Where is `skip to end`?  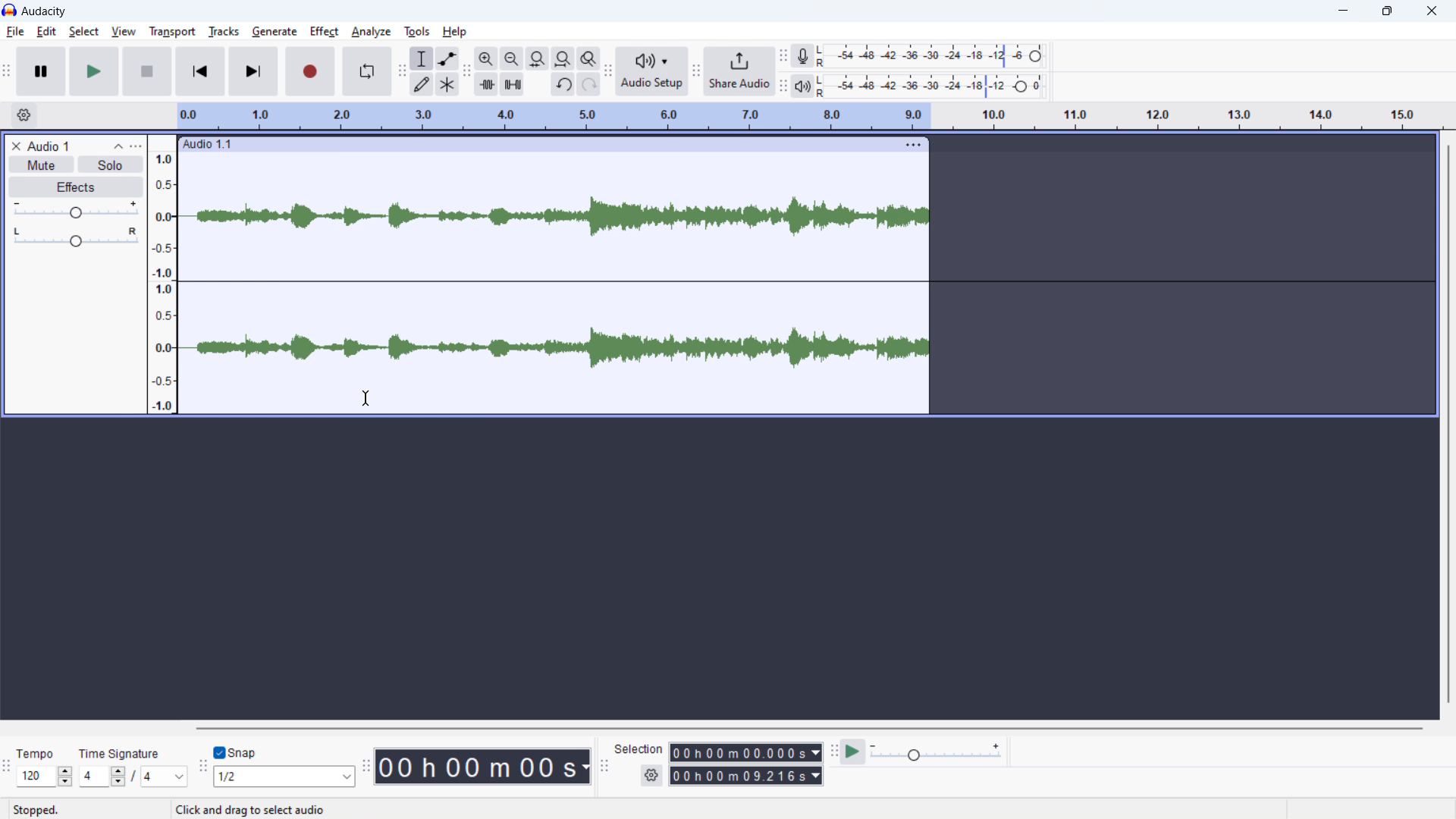 skip to end is located at coordinates (254, 71).